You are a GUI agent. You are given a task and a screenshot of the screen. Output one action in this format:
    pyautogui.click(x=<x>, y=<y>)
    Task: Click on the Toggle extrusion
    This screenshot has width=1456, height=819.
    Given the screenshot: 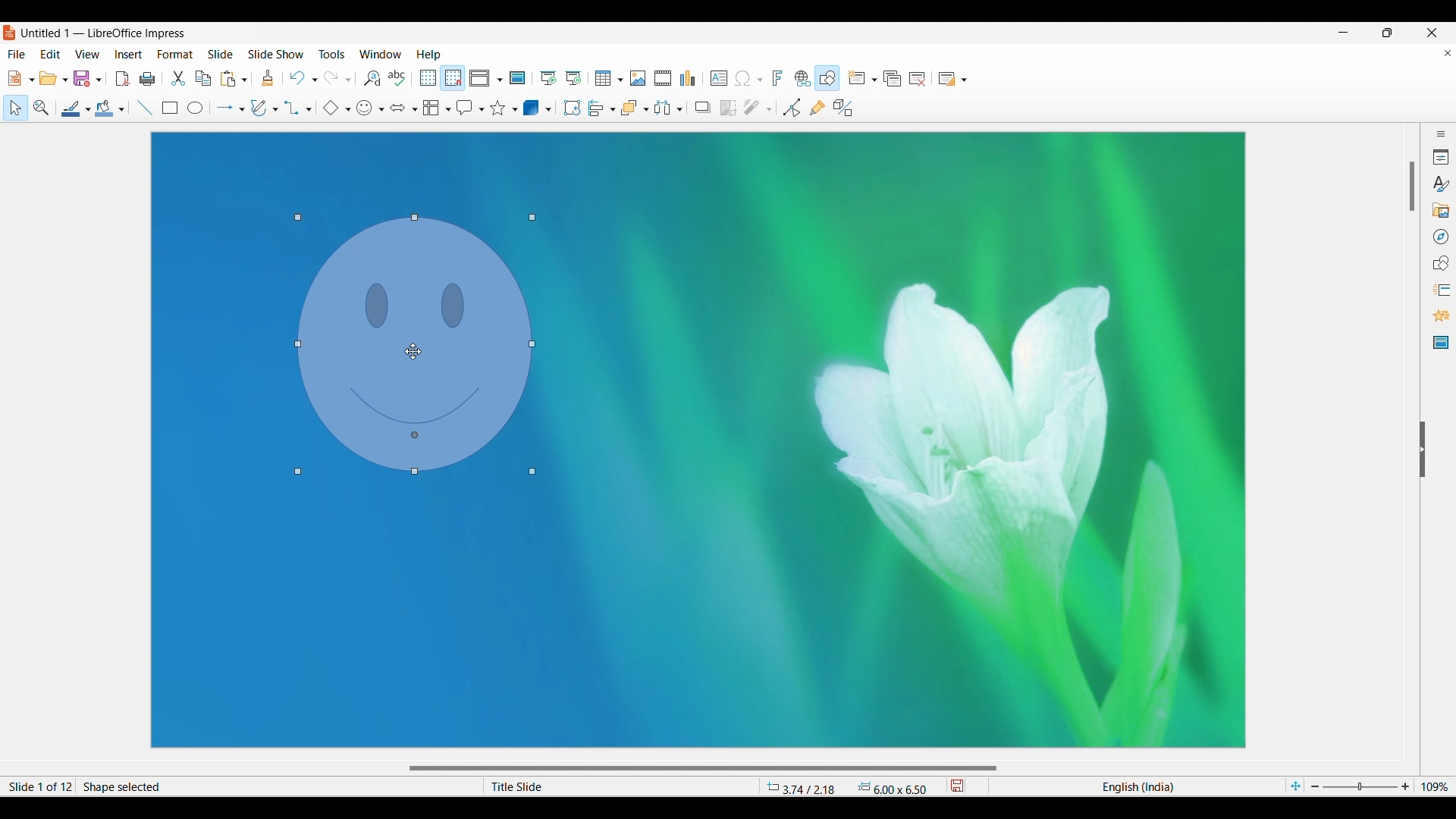 What is the action you would take?
    pyautogui.click(x=844, y=108)
    